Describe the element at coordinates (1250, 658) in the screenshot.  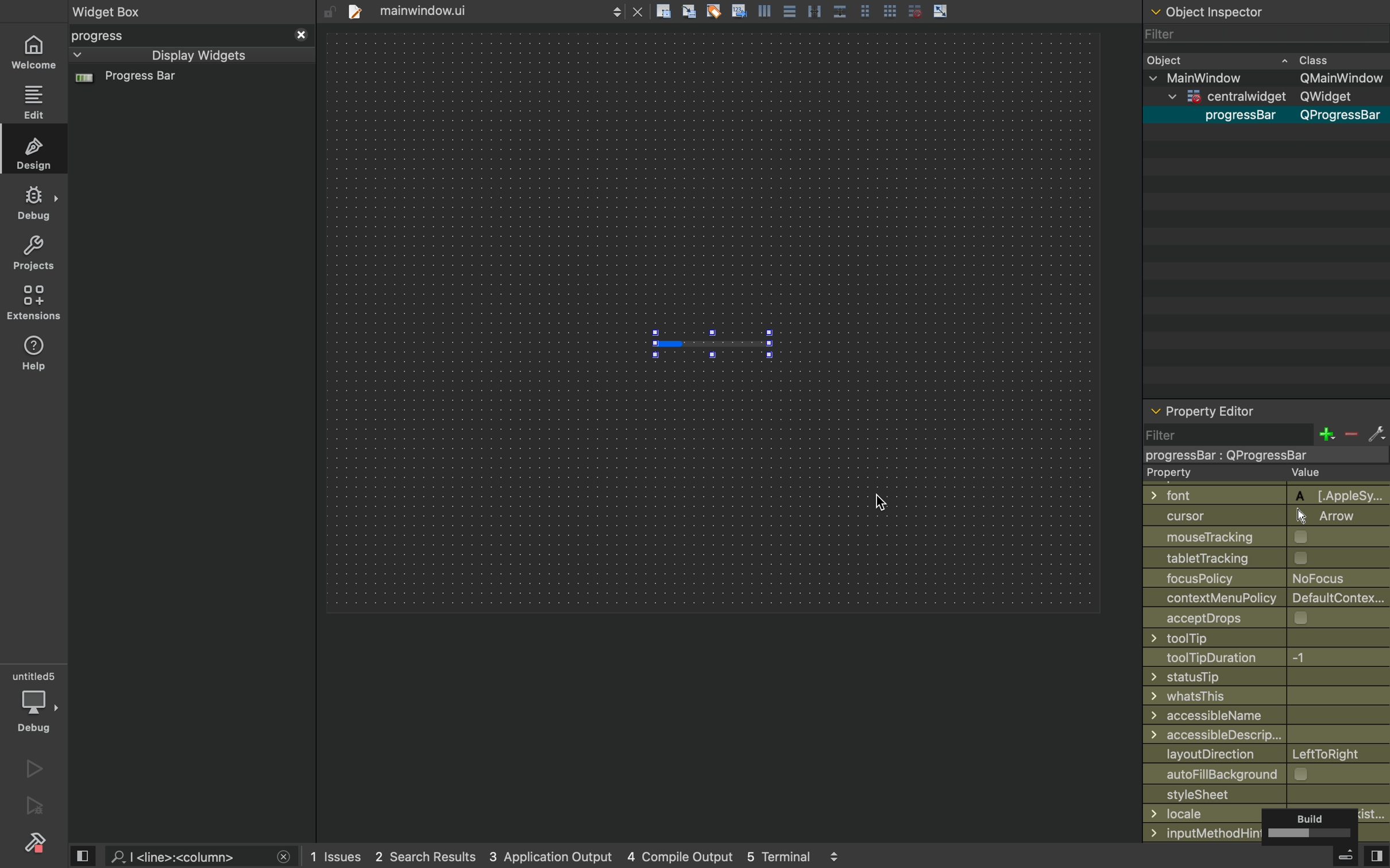
I see `tooltip duration` at that location.